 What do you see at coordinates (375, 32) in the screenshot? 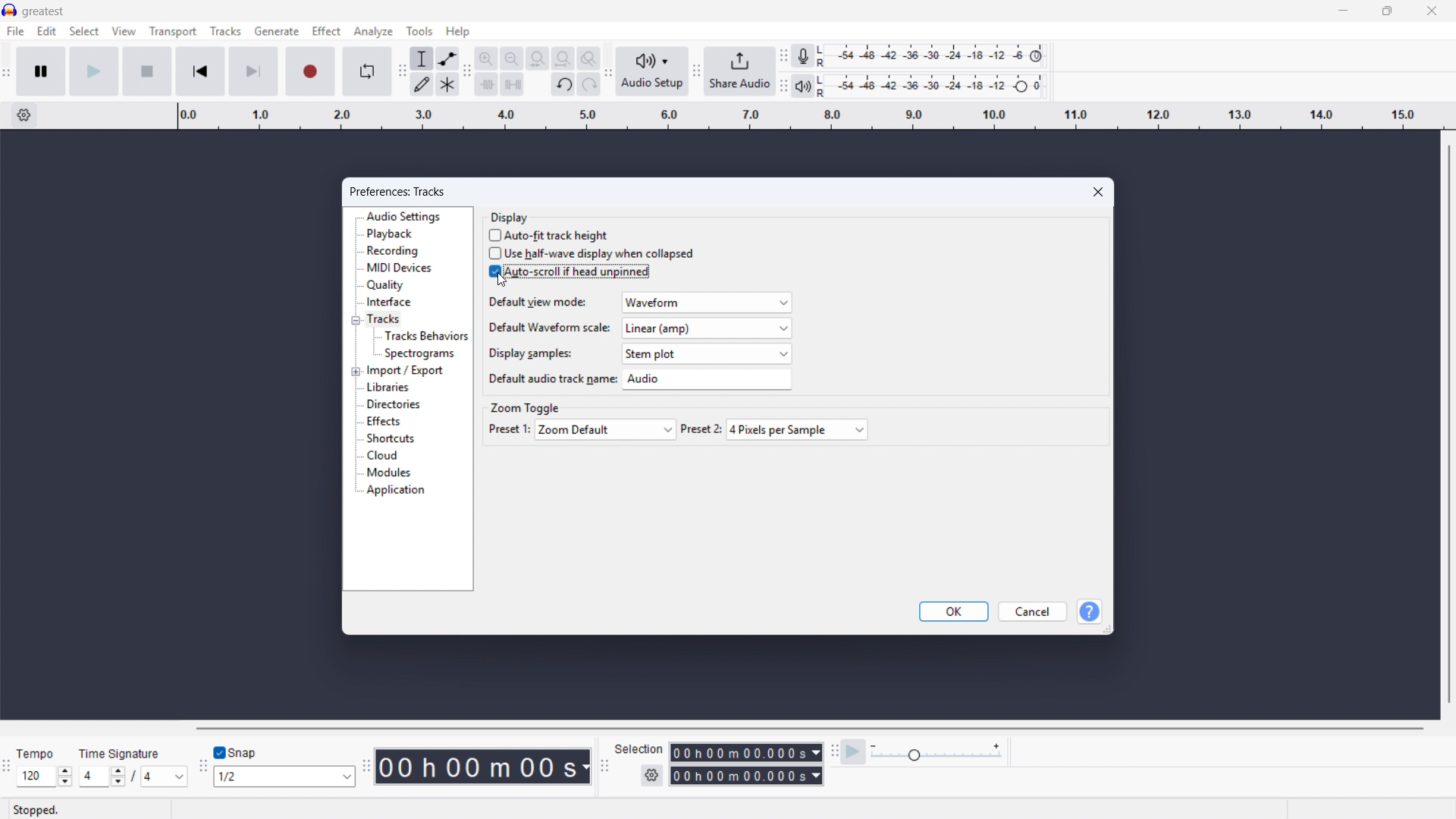
I see `Analyse ` at bounding box center [375, 32].